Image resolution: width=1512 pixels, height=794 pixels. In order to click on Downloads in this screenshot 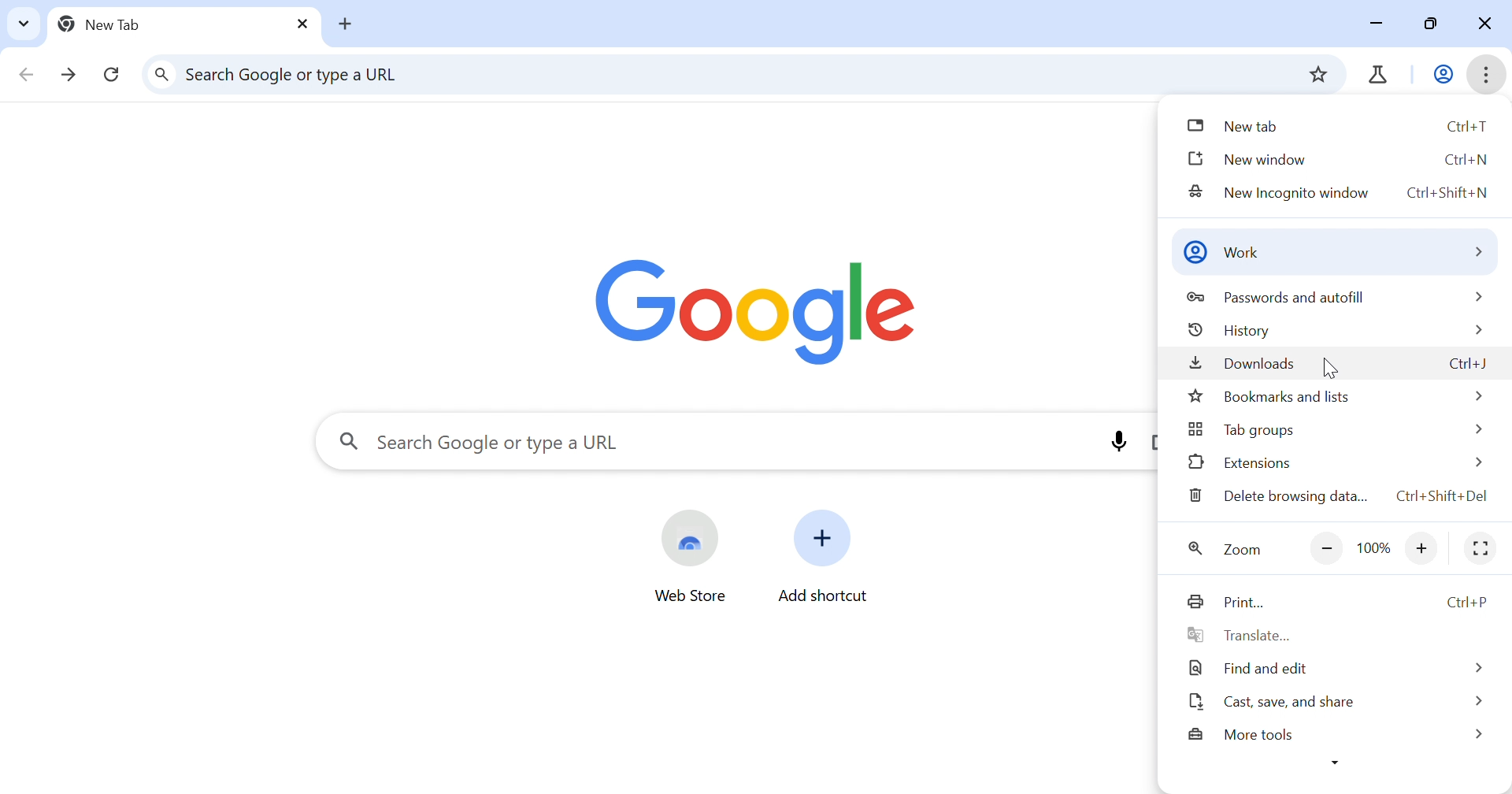, I will do `click(1244, 364)`.